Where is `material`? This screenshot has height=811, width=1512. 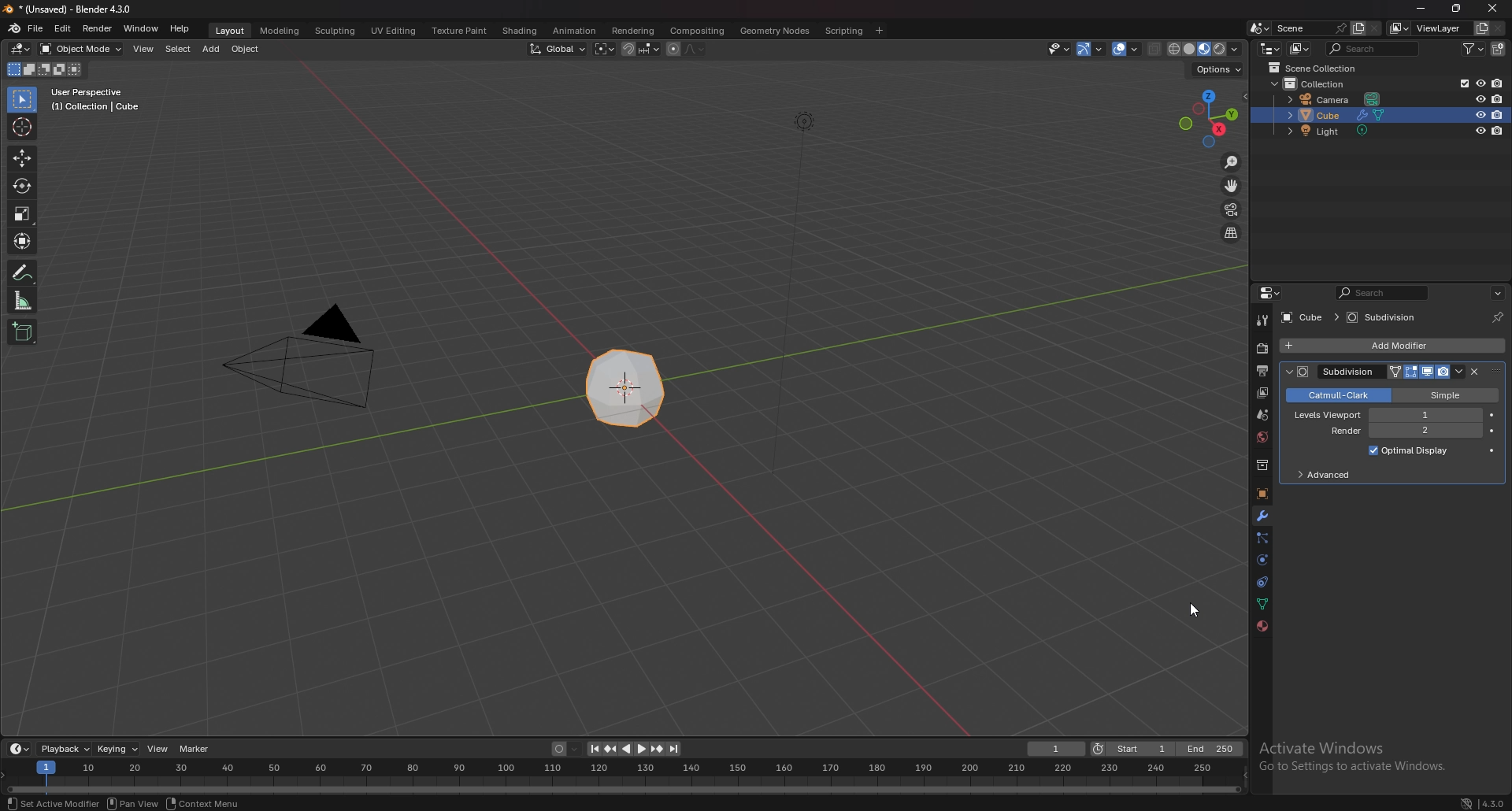
material is located at coordinates (1262, 624).